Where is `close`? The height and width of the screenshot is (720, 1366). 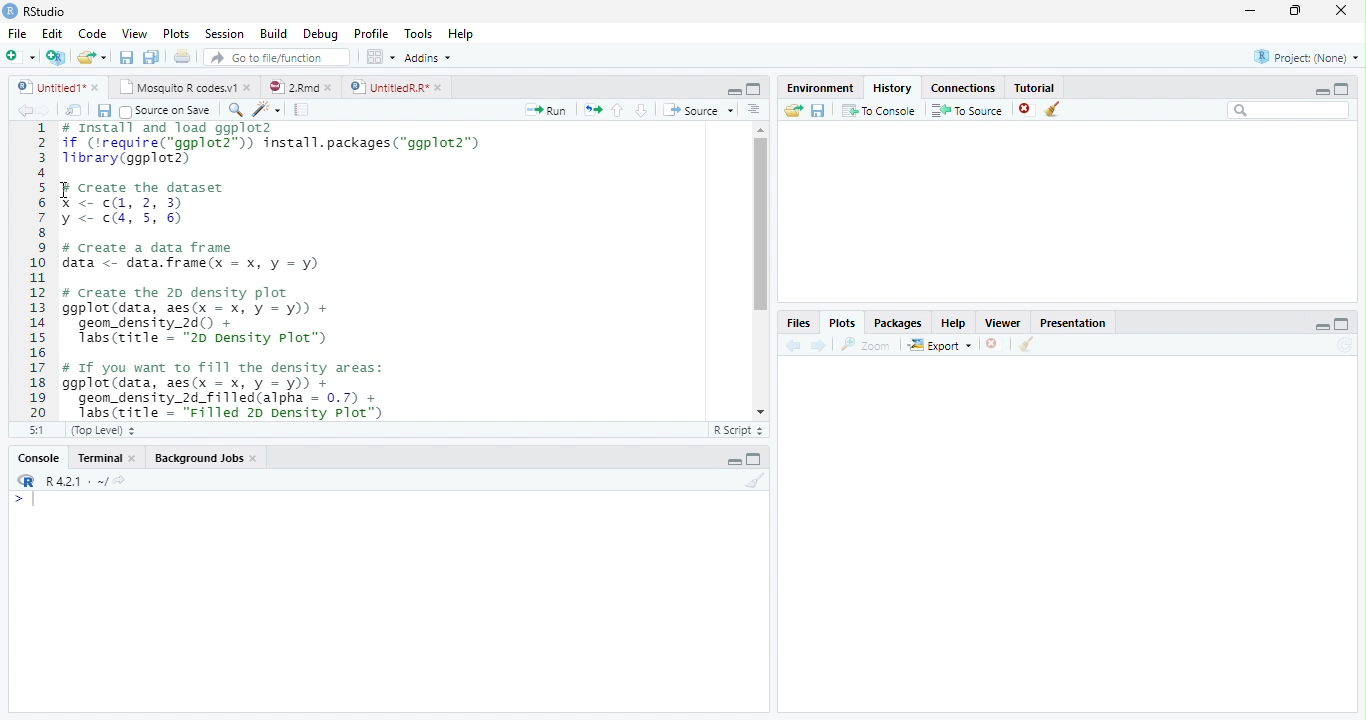
close is located at coordinates (1342, 10).